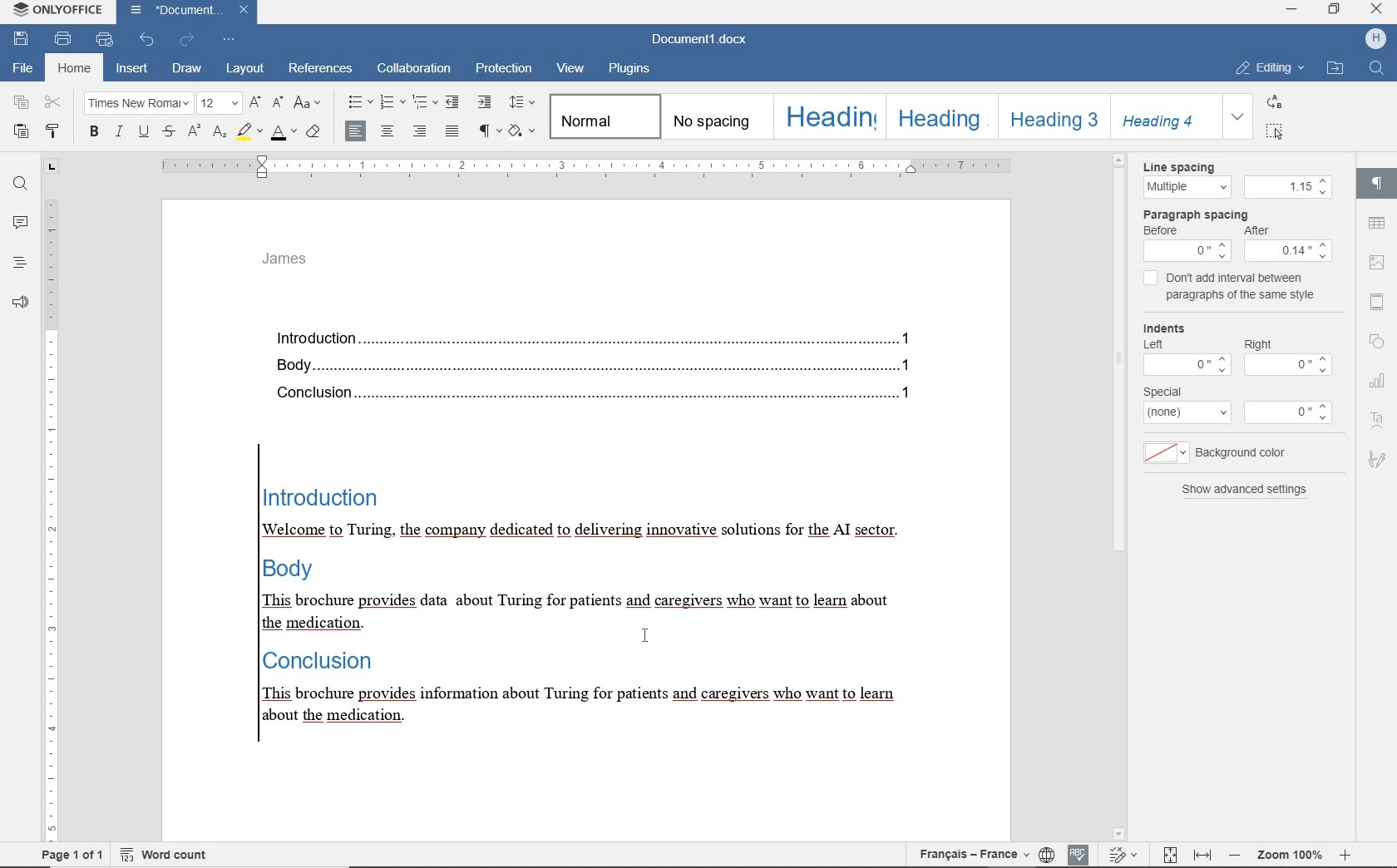  I want to click on  vertical line added in the margin, so click(257, 596).